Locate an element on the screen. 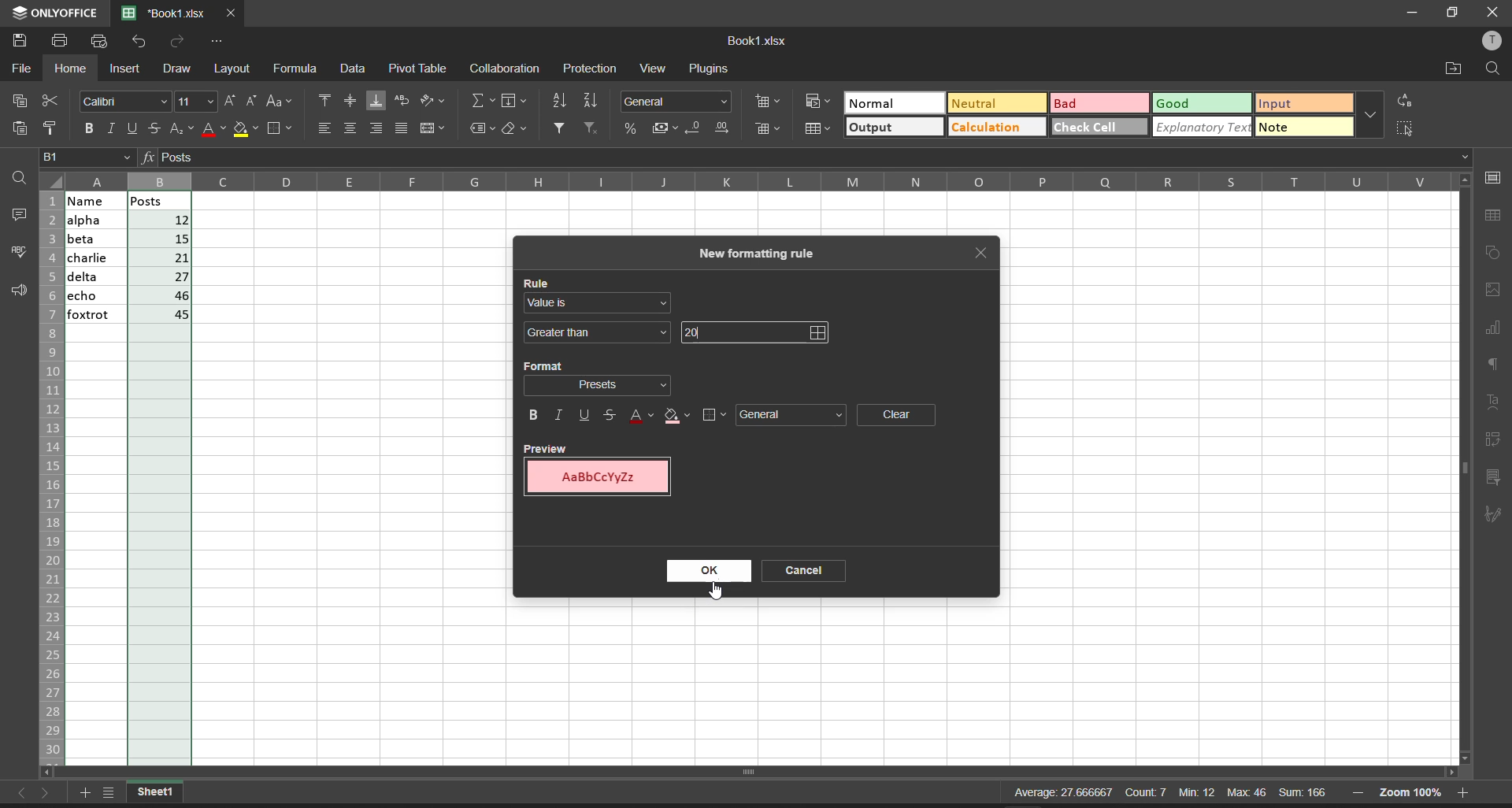 Image resolution: width=1512 pixels, height=808 pixels. underline is located at coordinates (132, 130).